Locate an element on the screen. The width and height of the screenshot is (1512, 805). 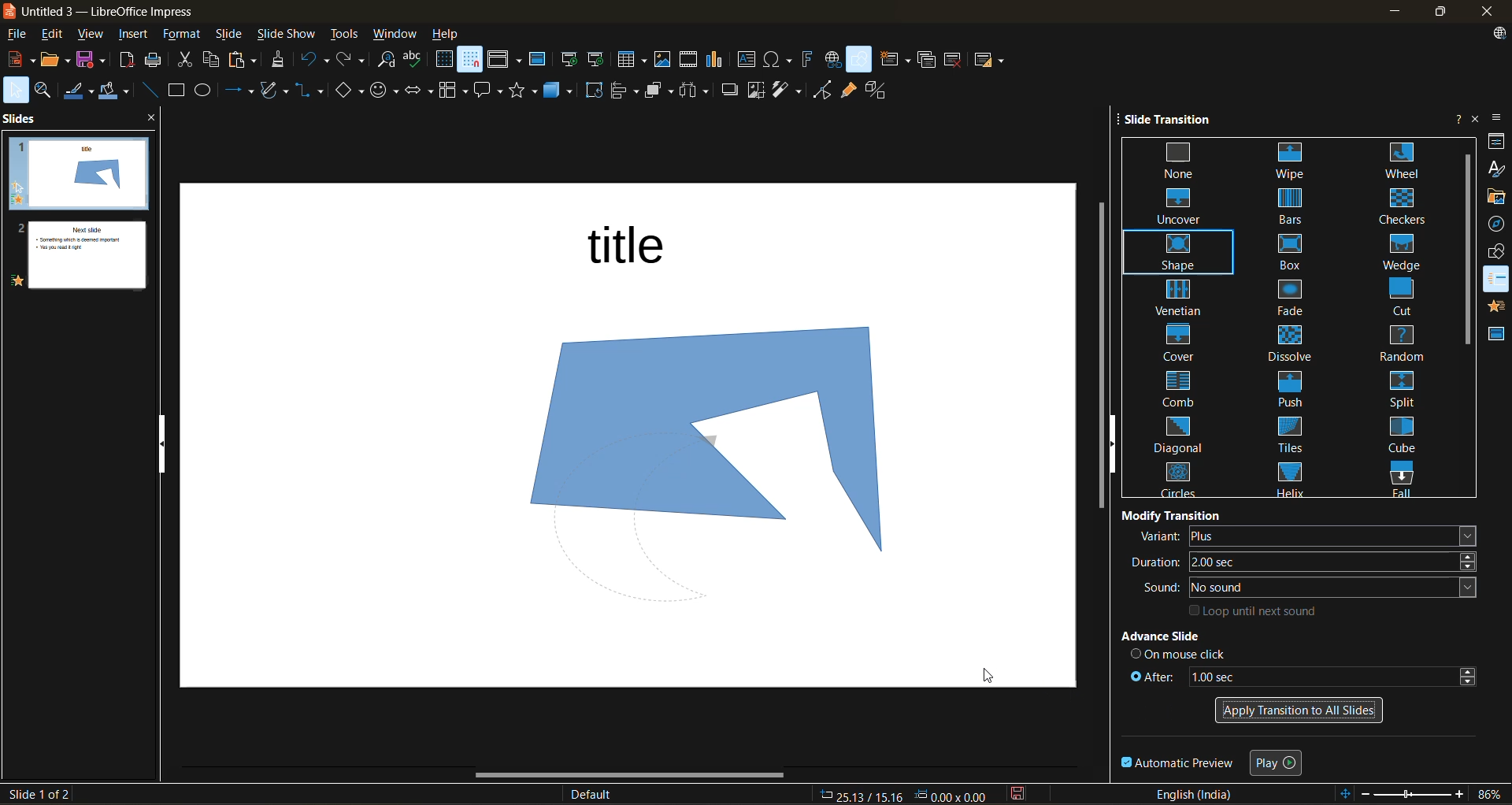
navigator is located at coordinates (1496, 225).